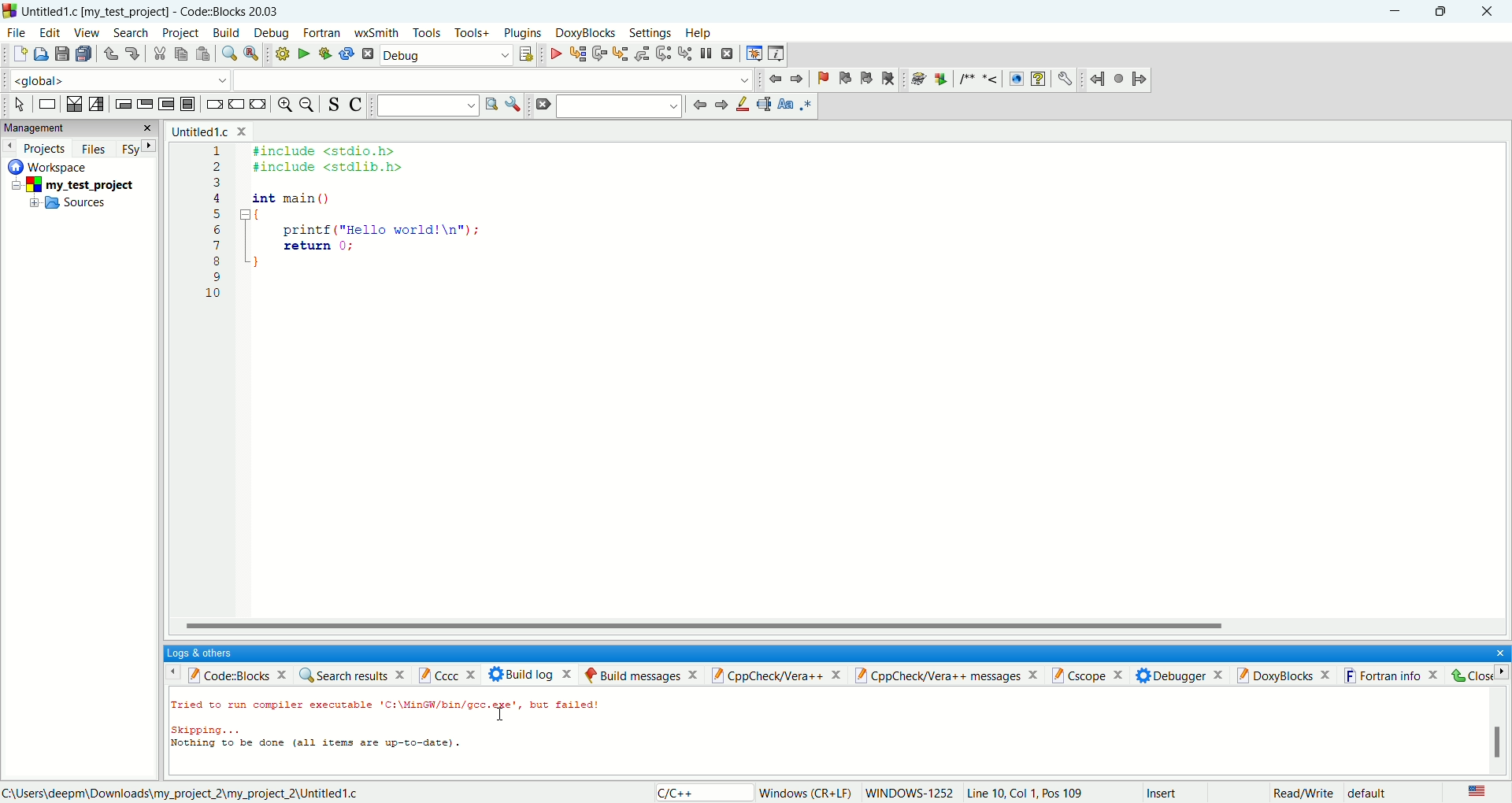  I want to click on default, so click(1369, 794).